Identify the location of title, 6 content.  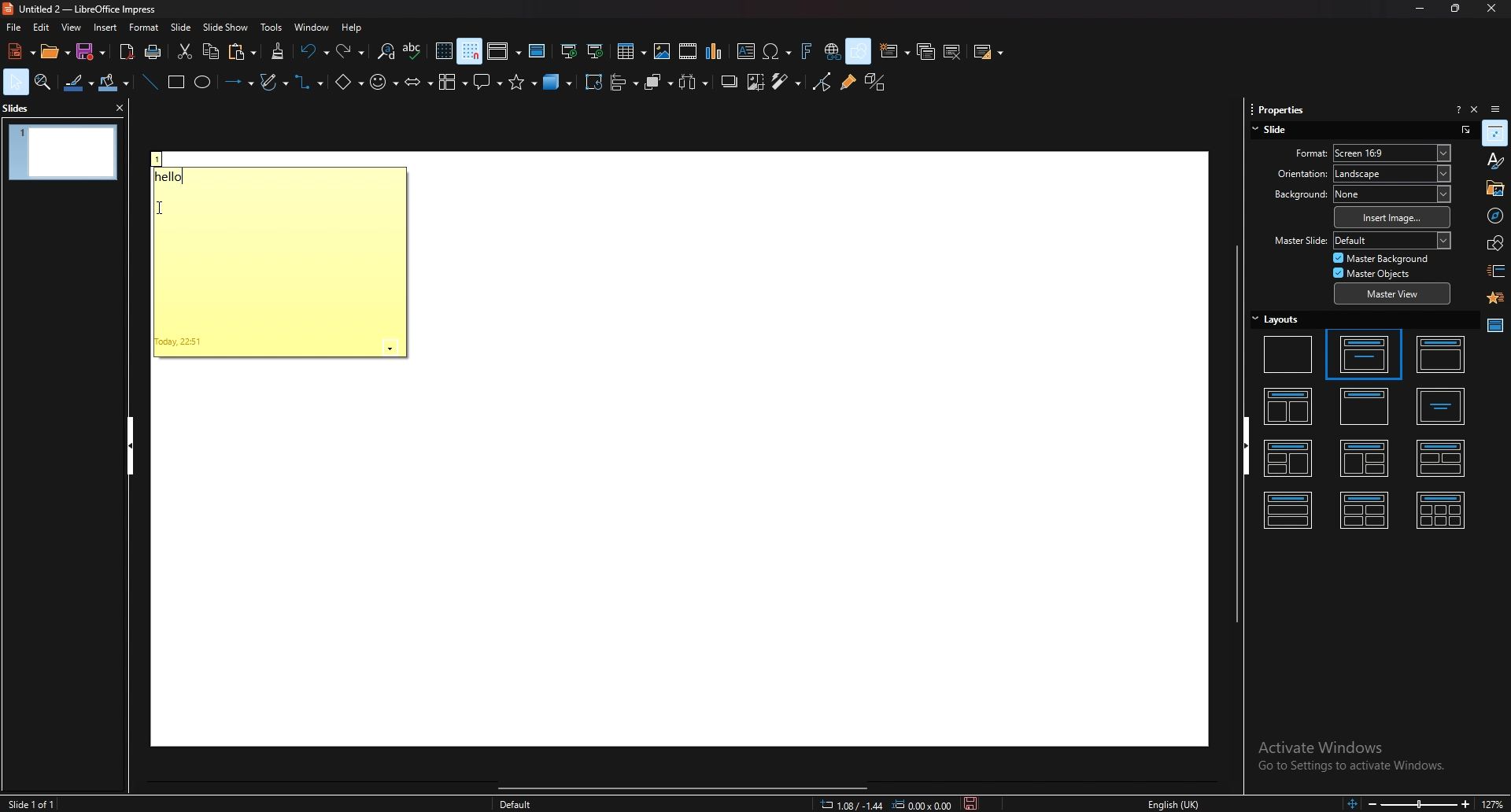
(1443, 509).